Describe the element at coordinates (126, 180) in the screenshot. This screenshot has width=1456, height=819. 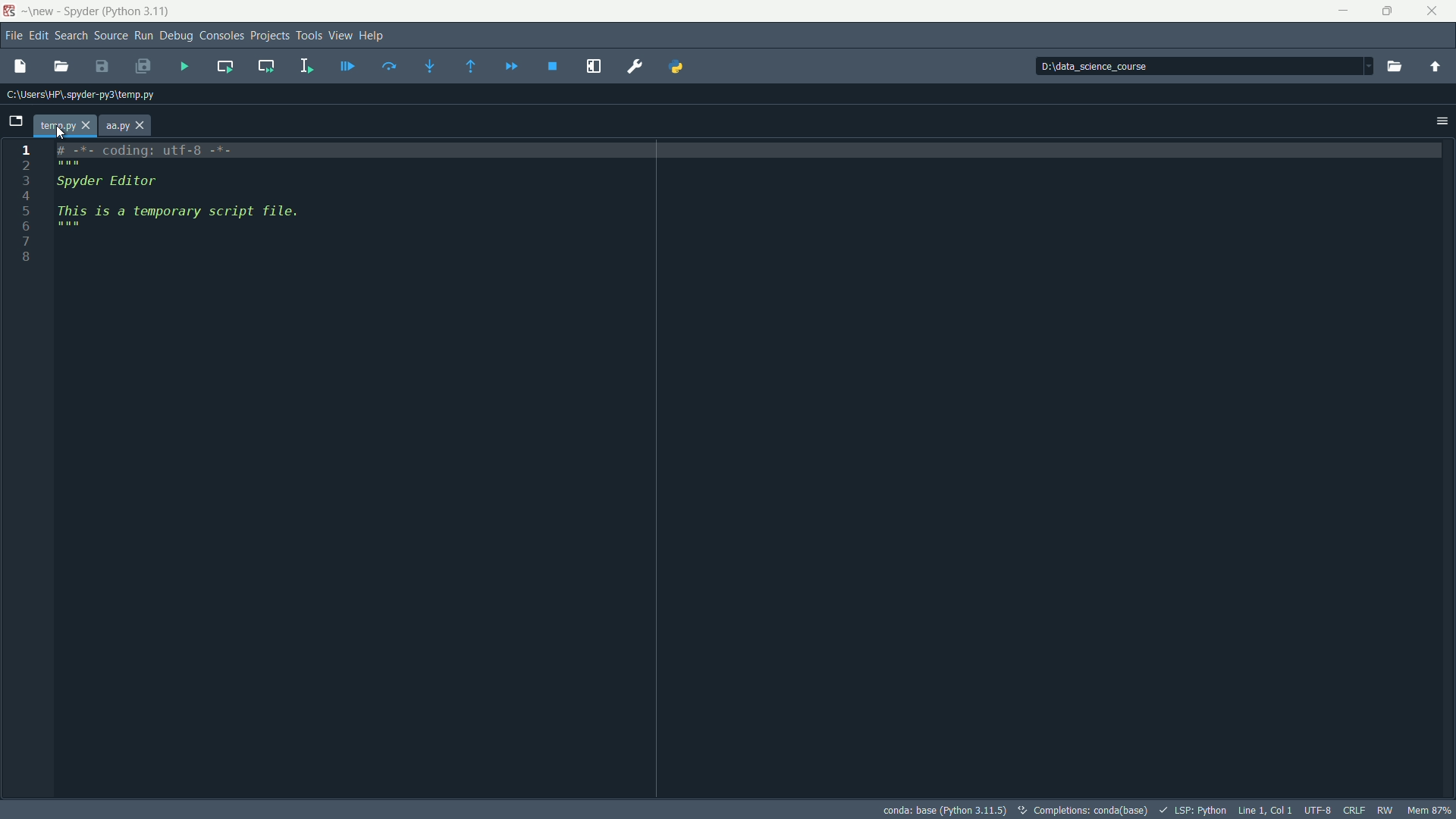
I see `3 Spyder Editor` at that location.